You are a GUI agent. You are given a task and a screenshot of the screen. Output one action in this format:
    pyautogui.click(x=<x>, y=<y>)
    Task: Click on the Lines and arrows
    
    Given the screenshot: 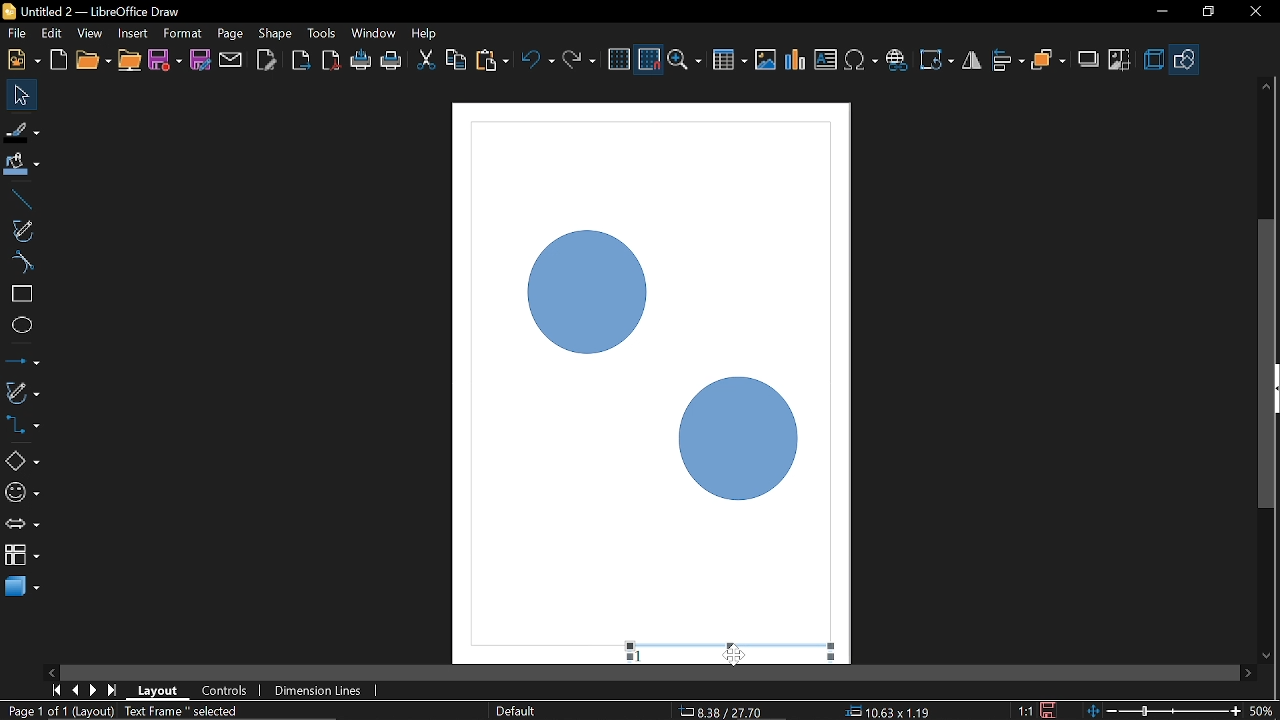 What is the action you would take?
    pyautogui.click(x=22, y=363)
    